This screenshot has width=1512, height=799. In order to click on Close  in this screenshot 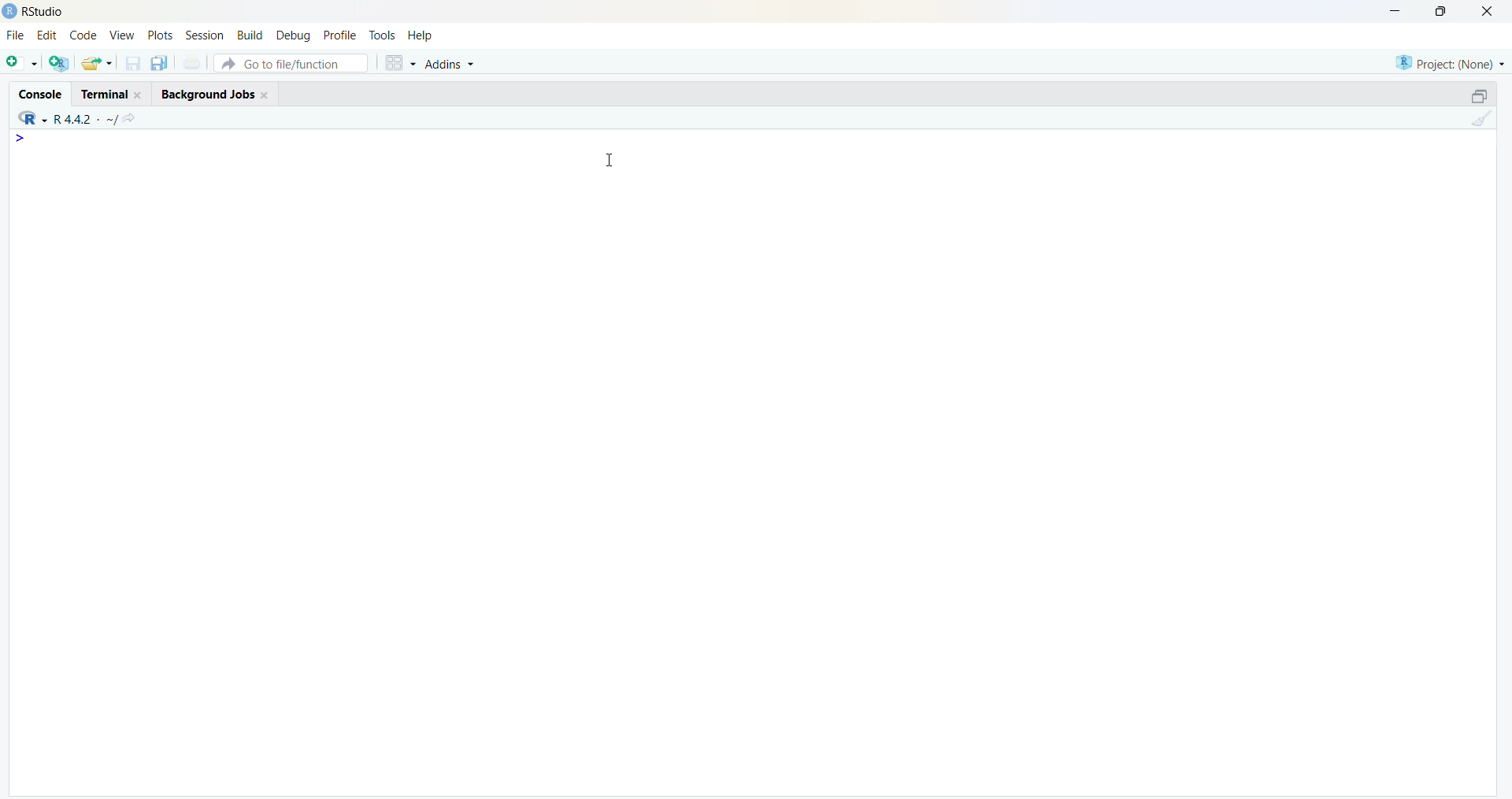, I will do `click(266, 95)`.